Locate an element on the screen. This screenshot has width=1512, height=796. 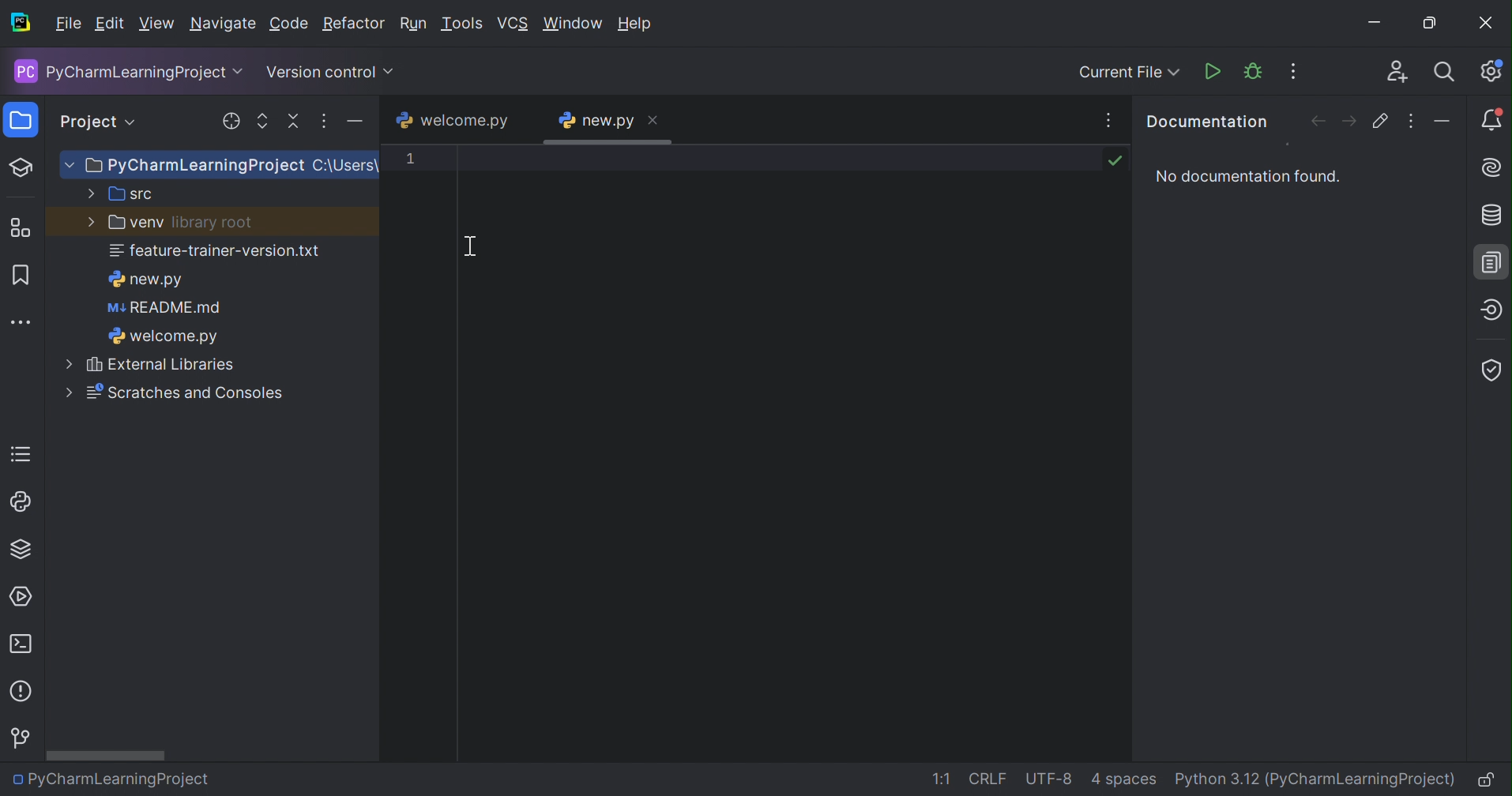
View is located at coordinates (157, 24).